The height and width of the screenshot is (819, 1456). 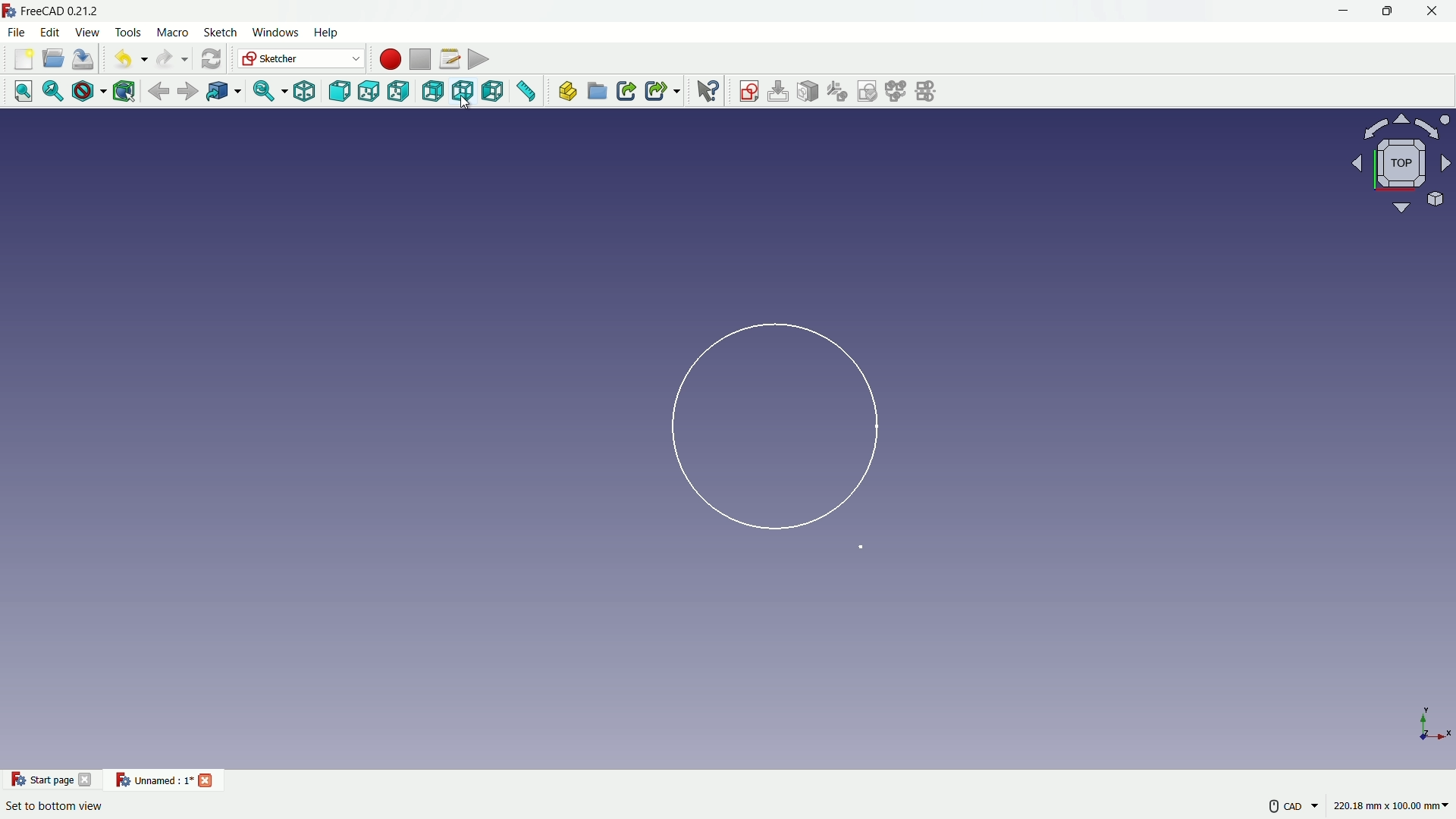 I want to click on front view, so click(x=369, y=93).